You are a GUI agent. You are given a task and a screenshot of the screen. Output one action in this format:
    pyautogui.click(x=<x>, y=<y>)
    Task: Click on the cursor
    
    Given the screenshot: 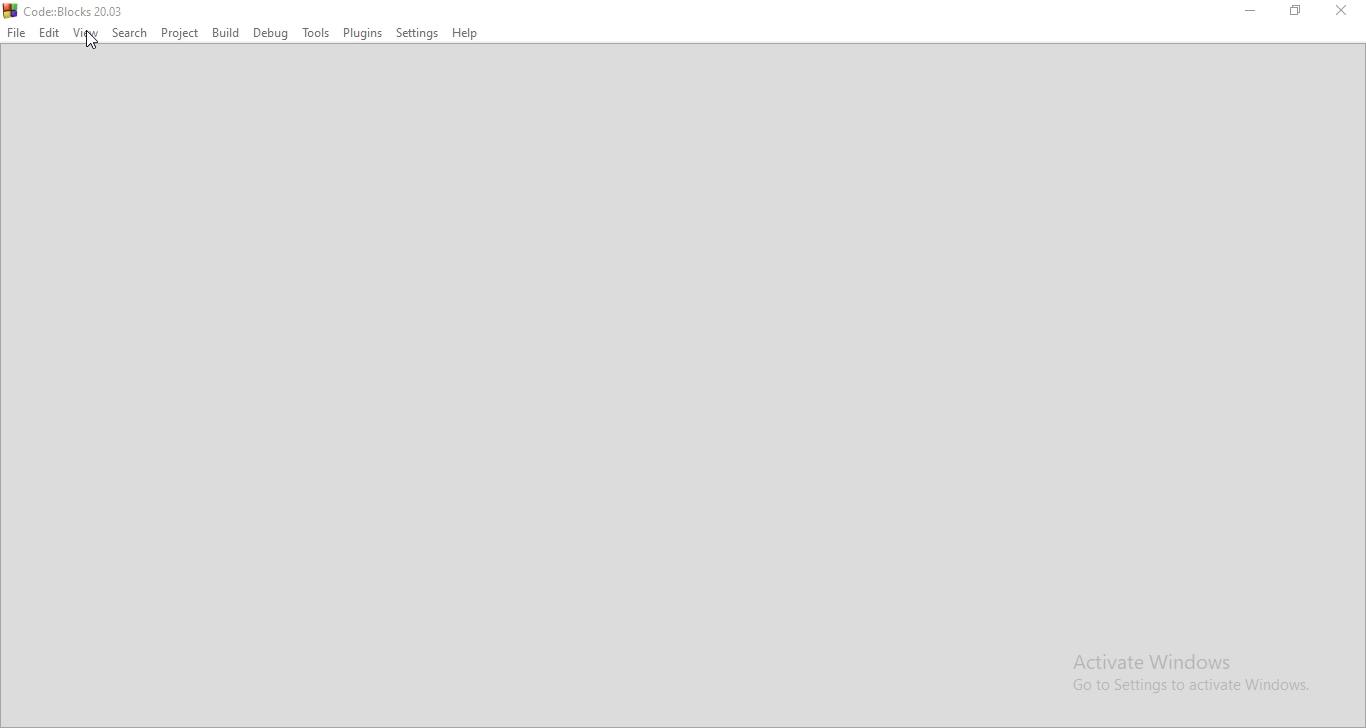 What is the action you would take?
    pyautogui.click(x=94, y=42)
    